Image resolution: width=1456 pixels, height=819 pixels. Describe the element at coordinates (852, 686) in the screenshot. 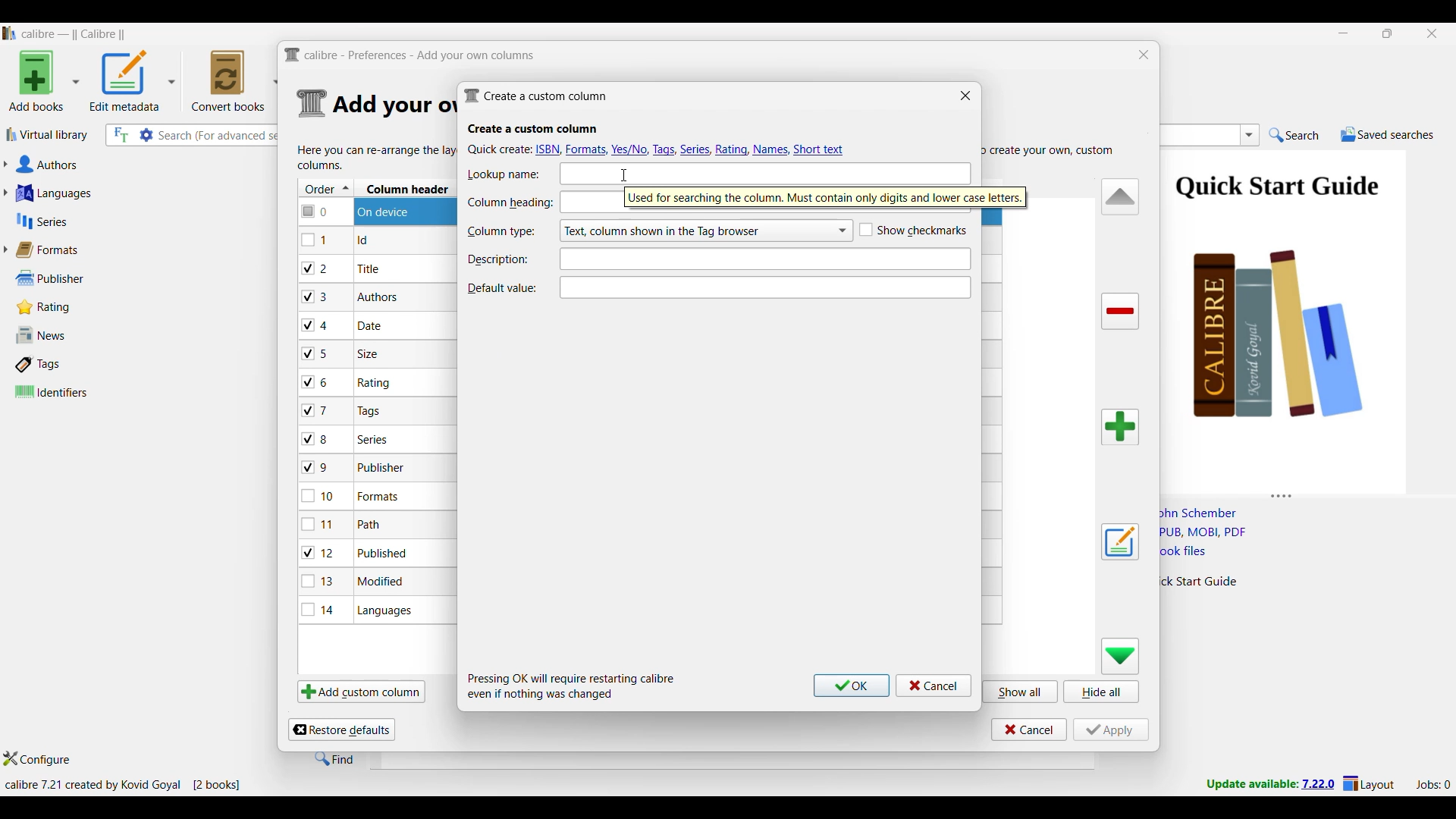

I see `Ok` at that location.